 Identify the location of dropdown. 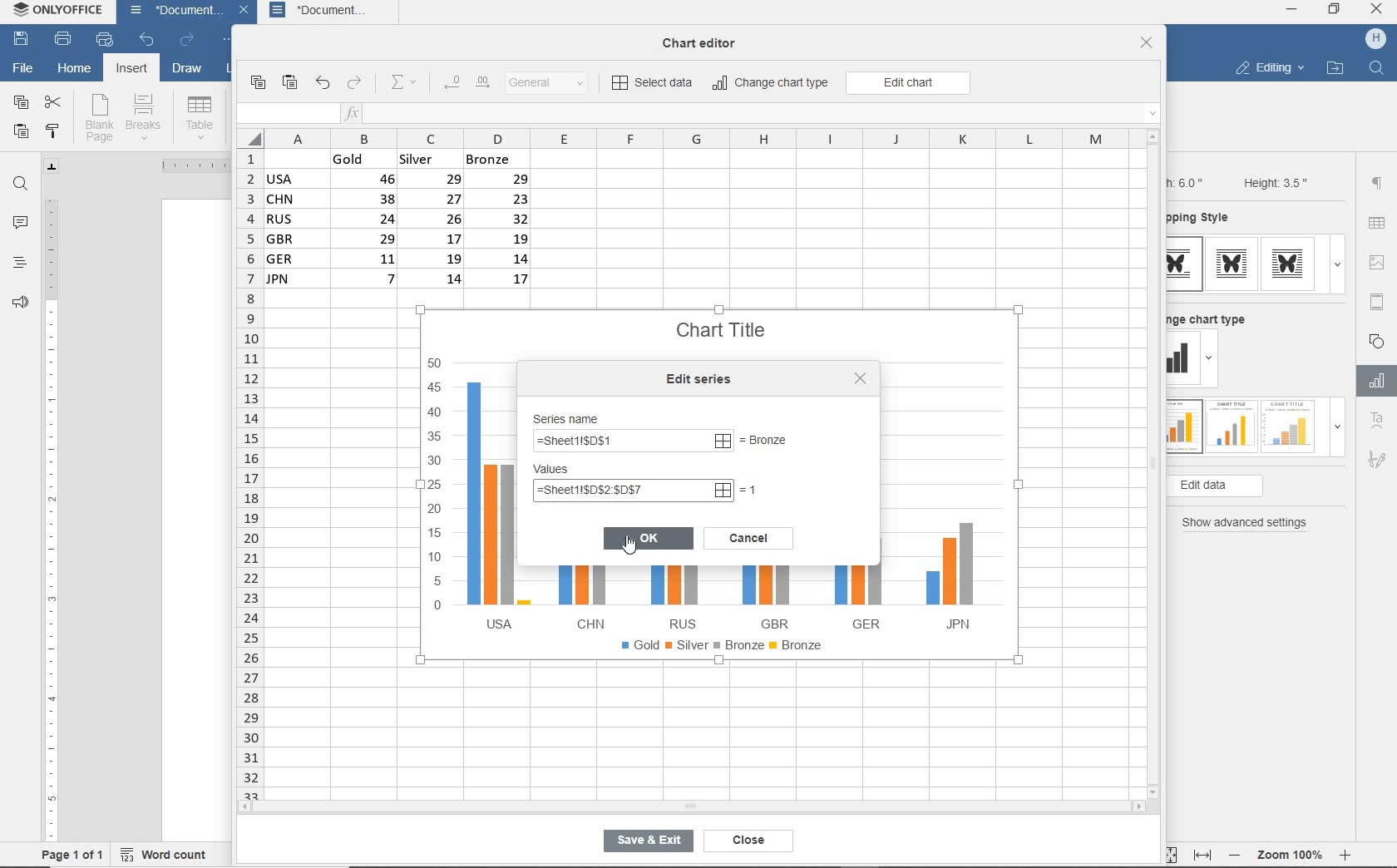
(1337, 432).